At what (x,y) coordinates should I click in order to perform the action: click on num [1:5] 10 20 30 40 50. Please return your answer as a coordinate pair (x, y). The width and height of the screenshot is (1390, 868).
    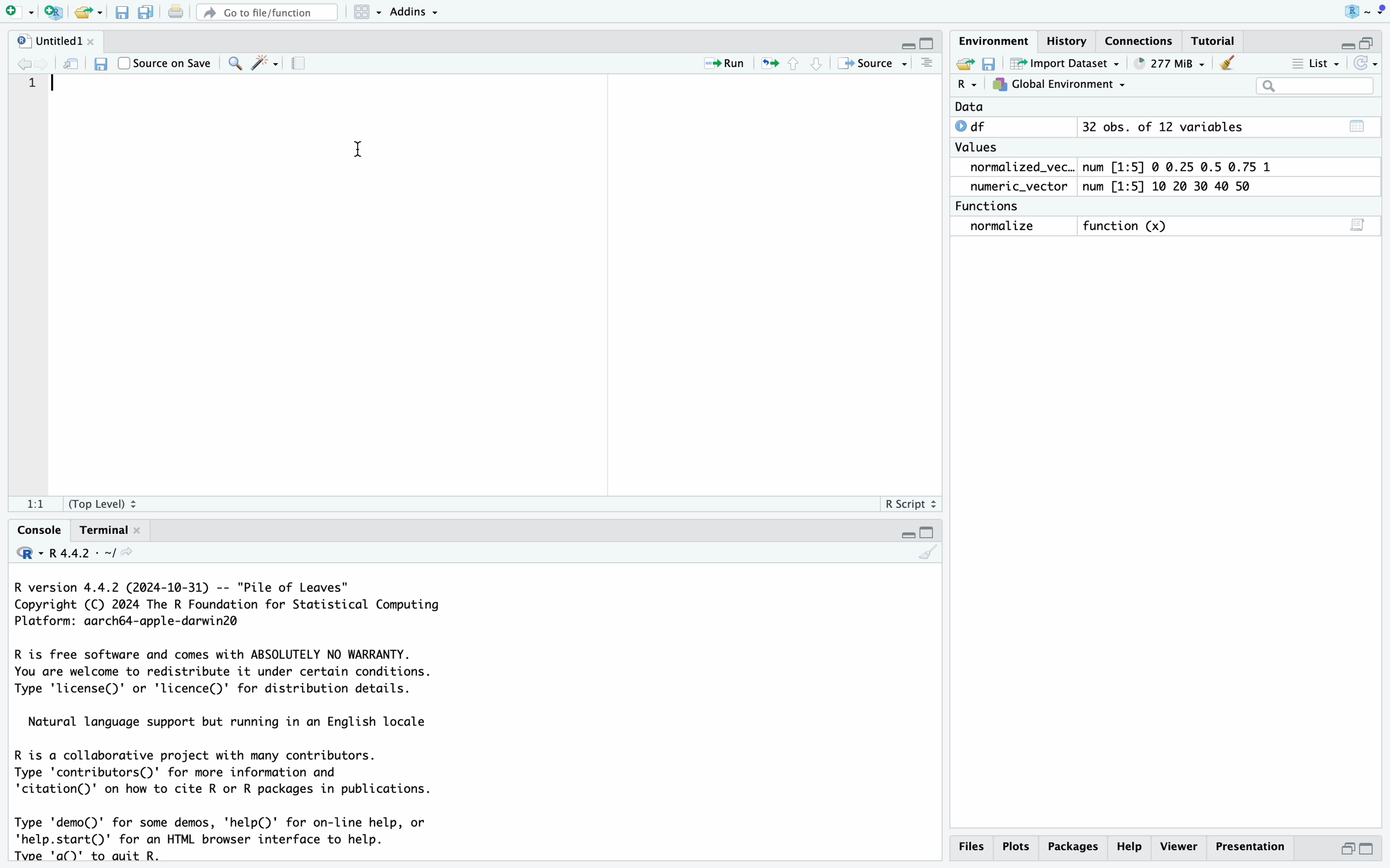
    Looking at the image, I should click on (1178, 186).